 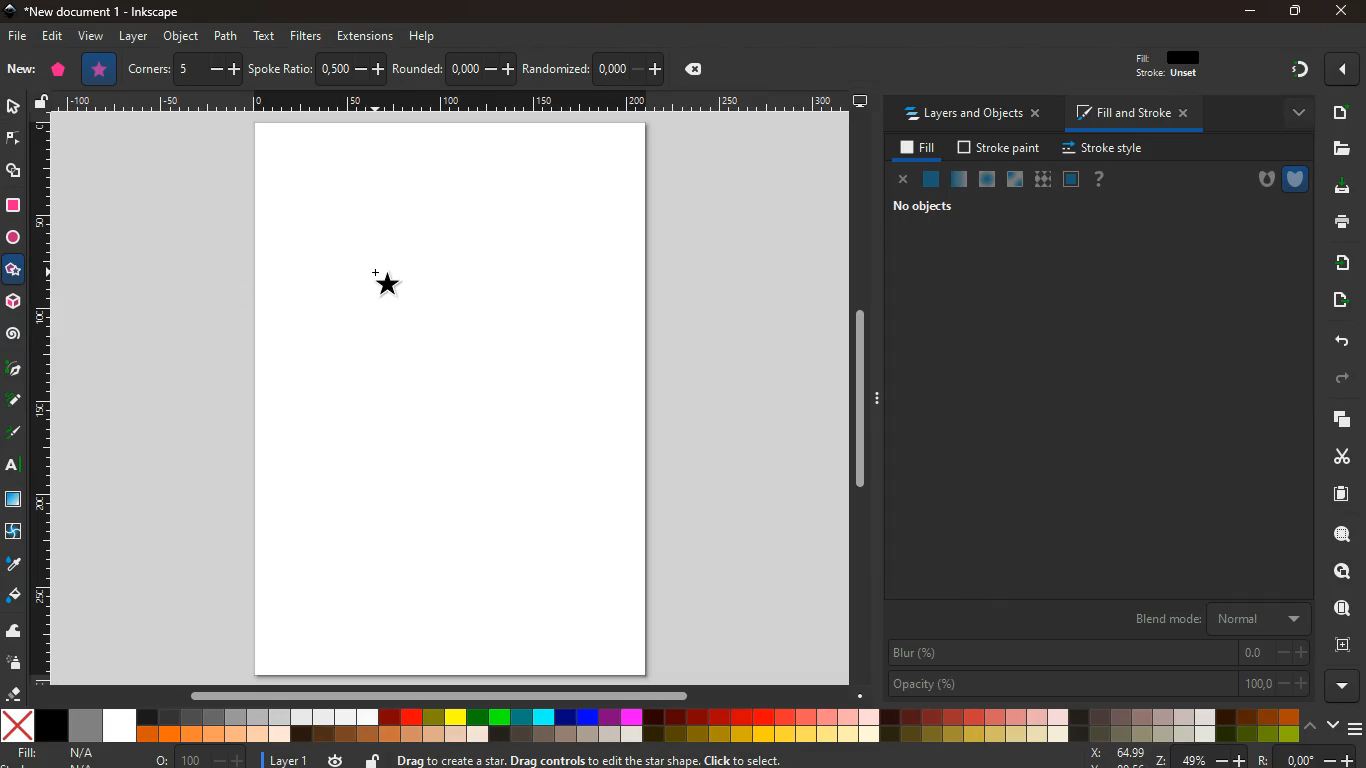 I want to click on erase, so click(x=14, y=692).